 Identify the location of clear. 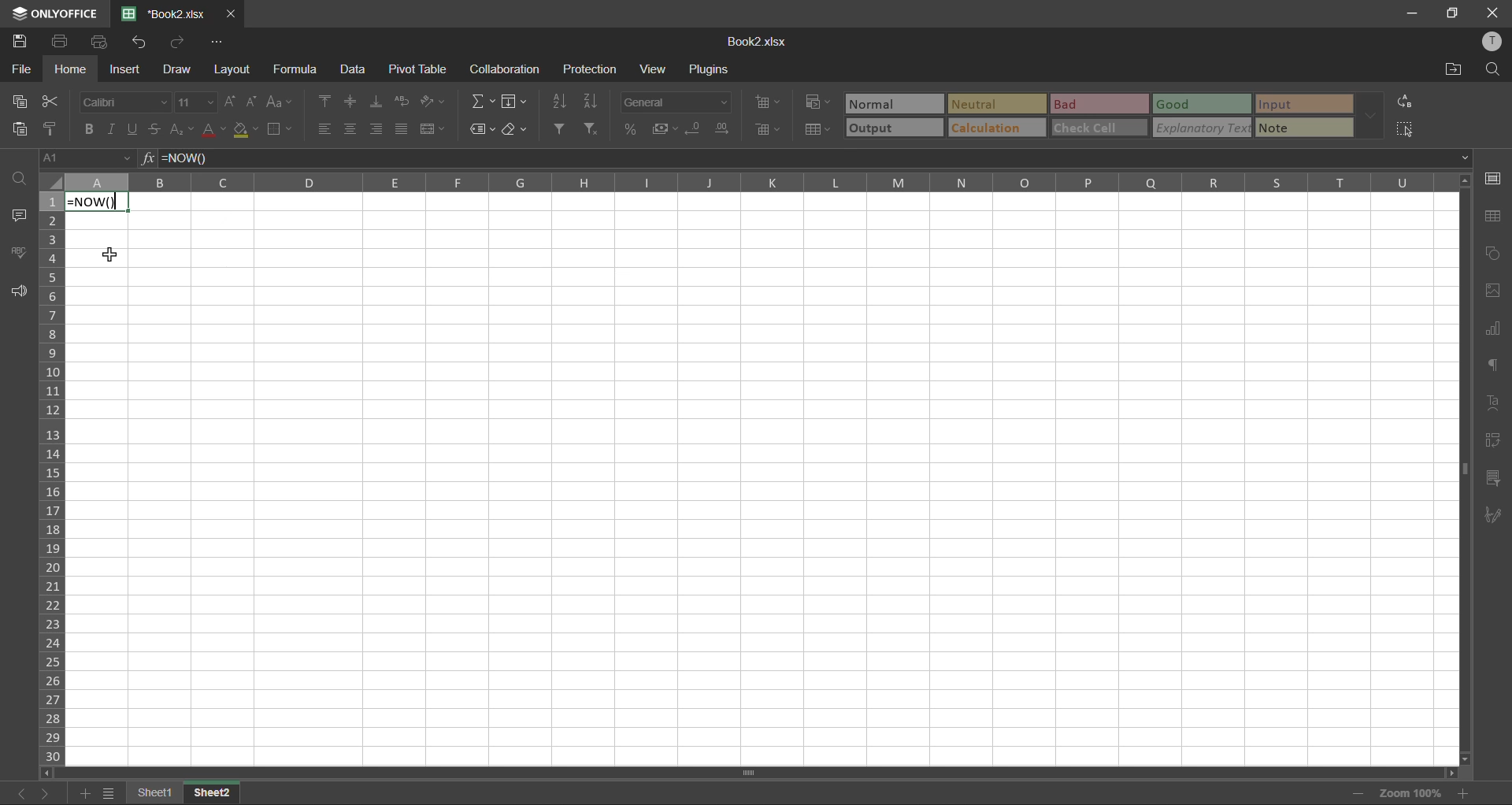
(518, 129).